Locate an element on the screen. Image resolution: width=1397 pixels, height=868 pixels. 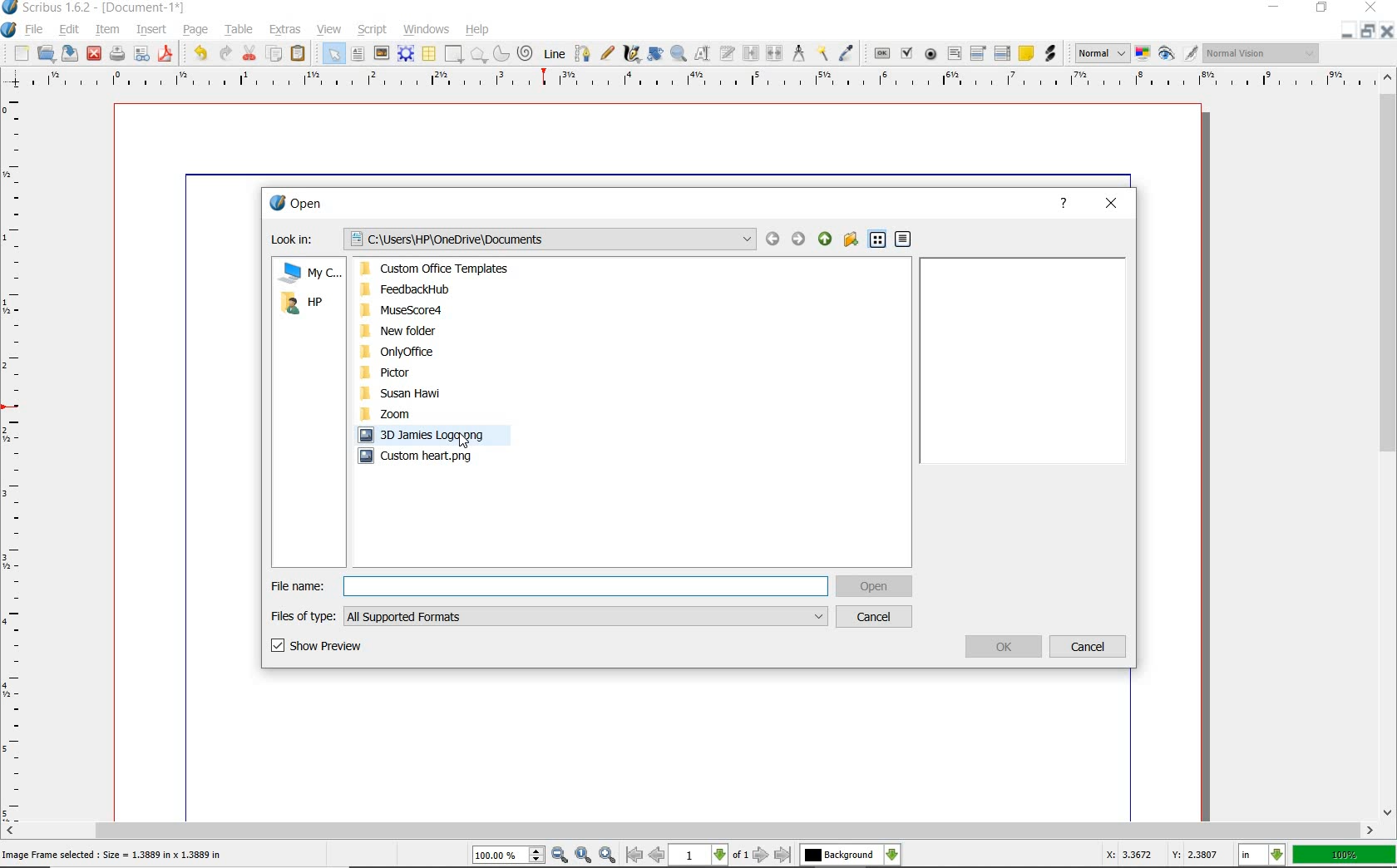
render frame is located at coordinates (407, 54).